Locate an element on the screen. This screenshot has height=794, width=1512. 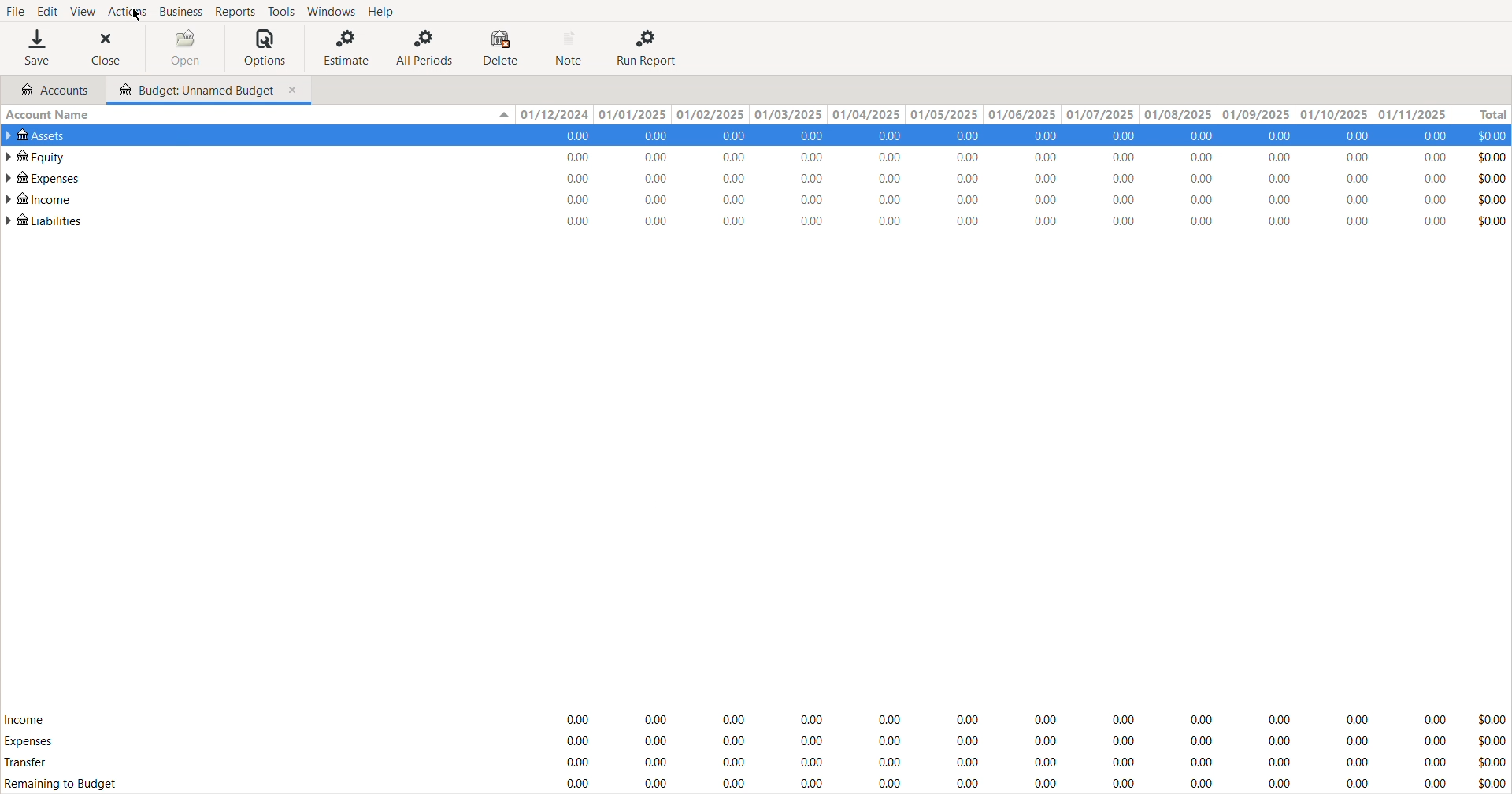
Edit is located at coordinates (45, 9).